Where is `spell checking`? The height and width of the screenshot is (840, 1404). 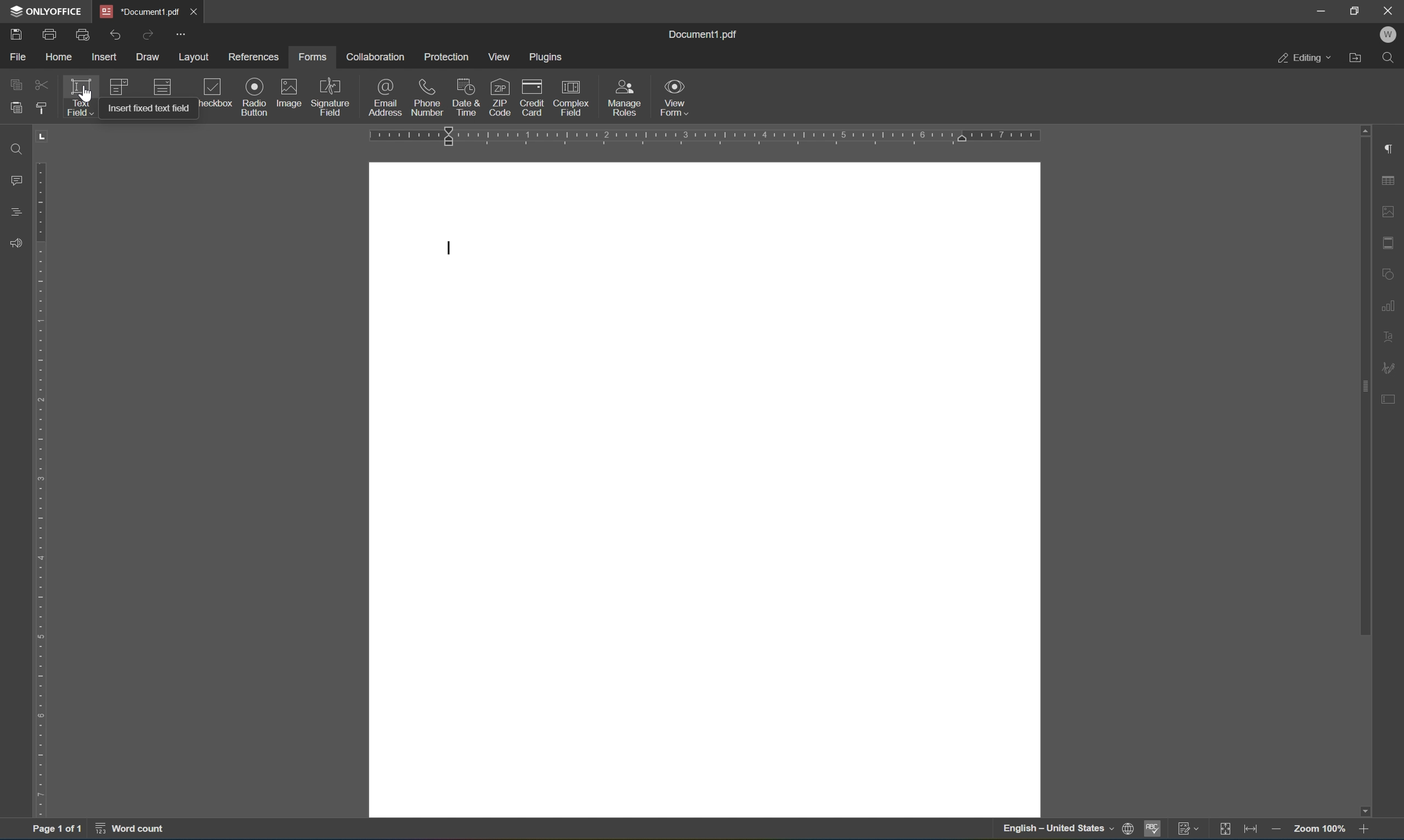
spell checking is located at coordinates (1153, 832).